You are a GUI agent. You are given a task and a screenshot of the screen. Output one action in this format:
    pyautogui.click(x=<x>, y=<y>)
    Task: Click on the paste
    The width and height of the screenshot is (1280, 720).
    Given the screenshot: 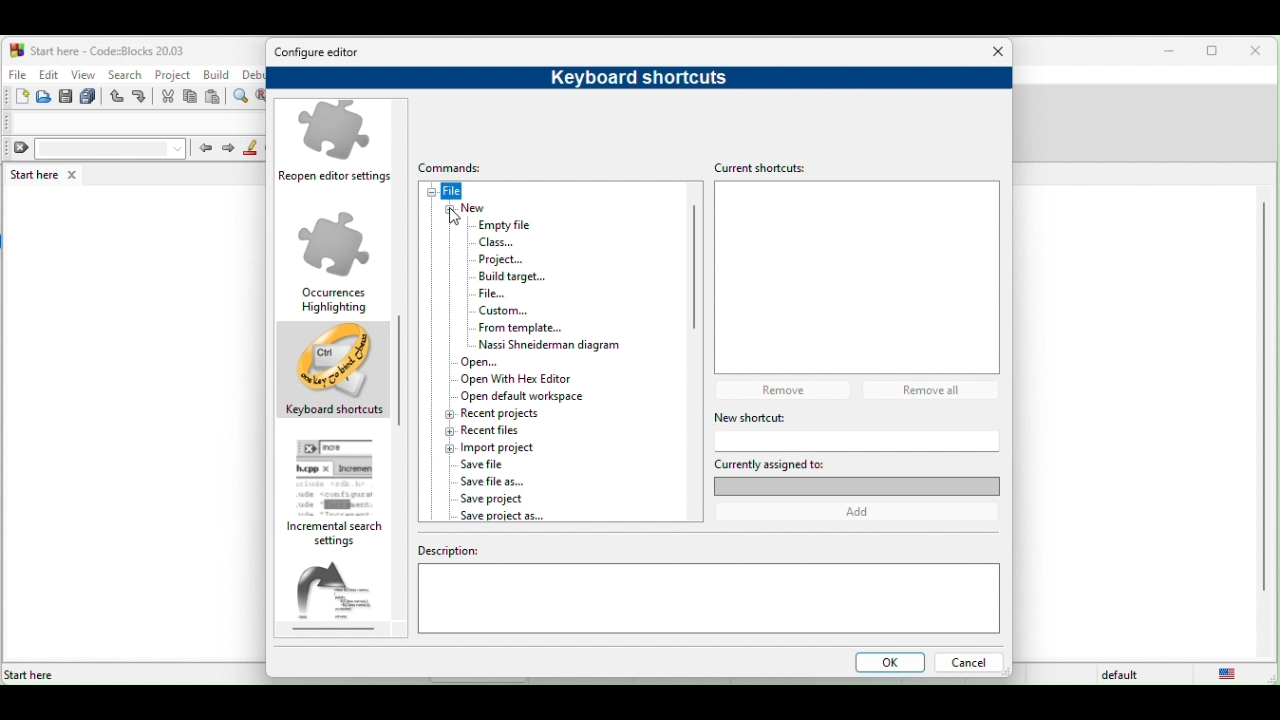 What is the action you would take?
    pyautogui.click(x=214, y=98)
    